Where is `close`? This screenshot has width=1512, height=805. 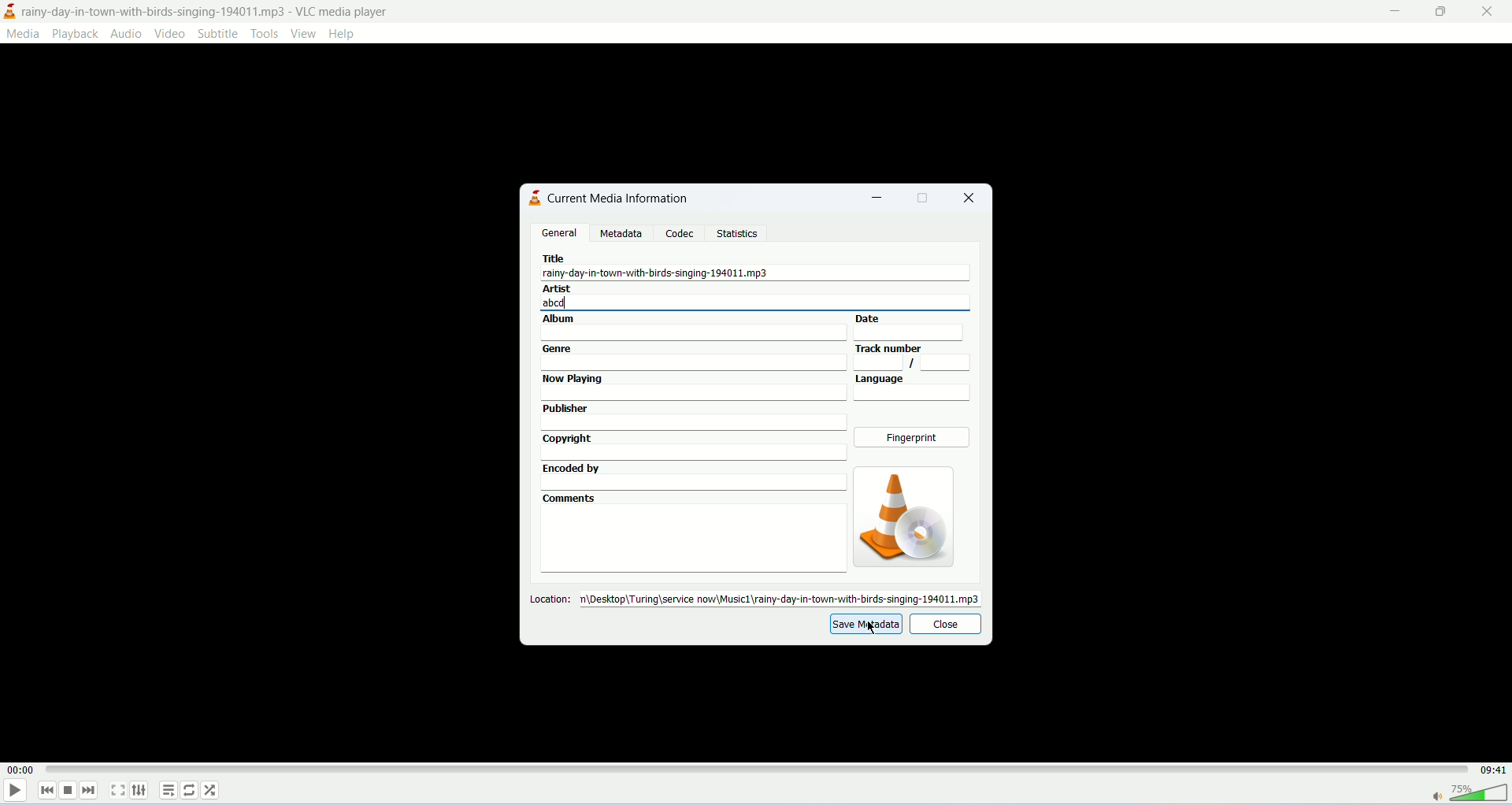
close is located at coordinates (1486, 13).